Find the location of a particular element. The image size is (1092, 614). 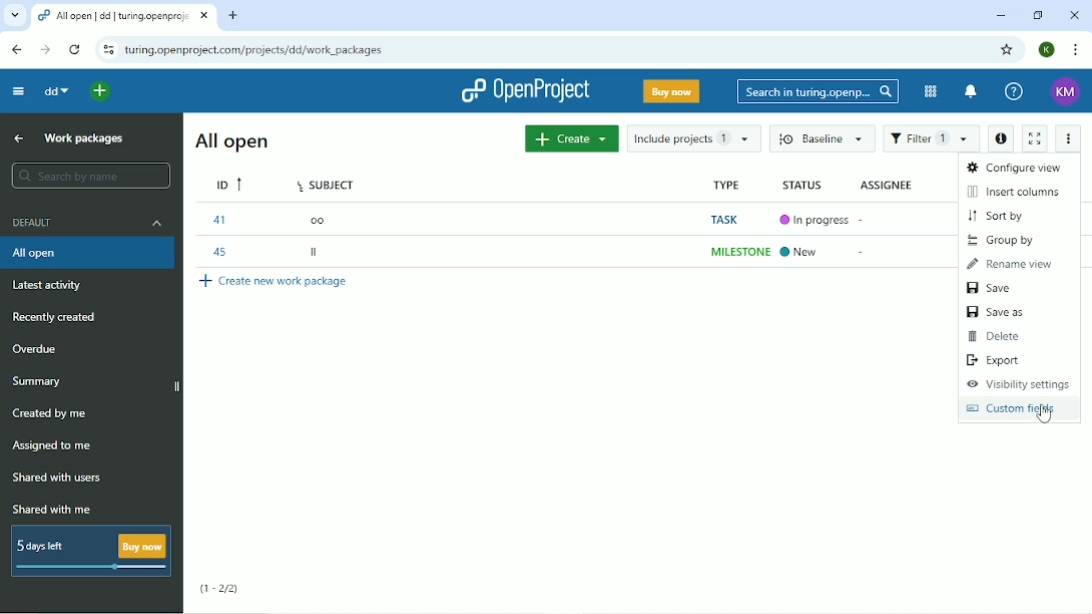

Filter is located at coordinates (931, 139).